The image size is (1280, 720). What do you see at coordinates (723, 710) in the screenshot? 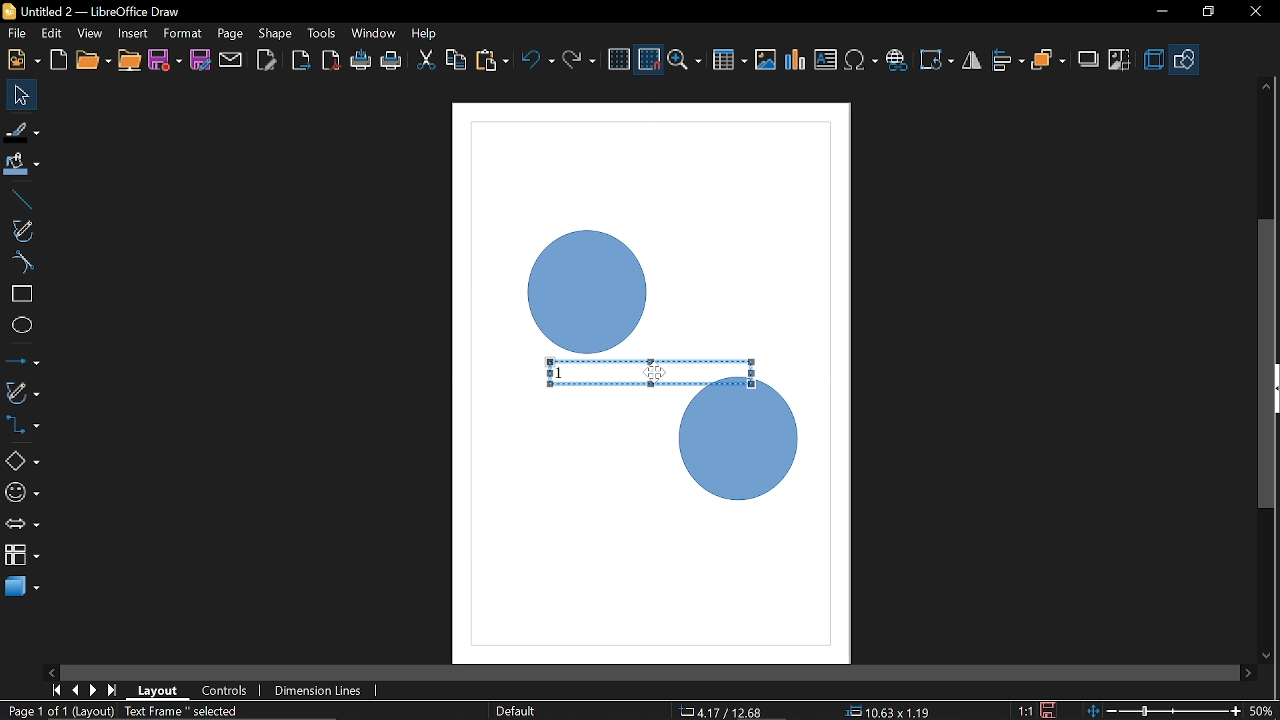
I see `Location` at bounding box center [723, 710].